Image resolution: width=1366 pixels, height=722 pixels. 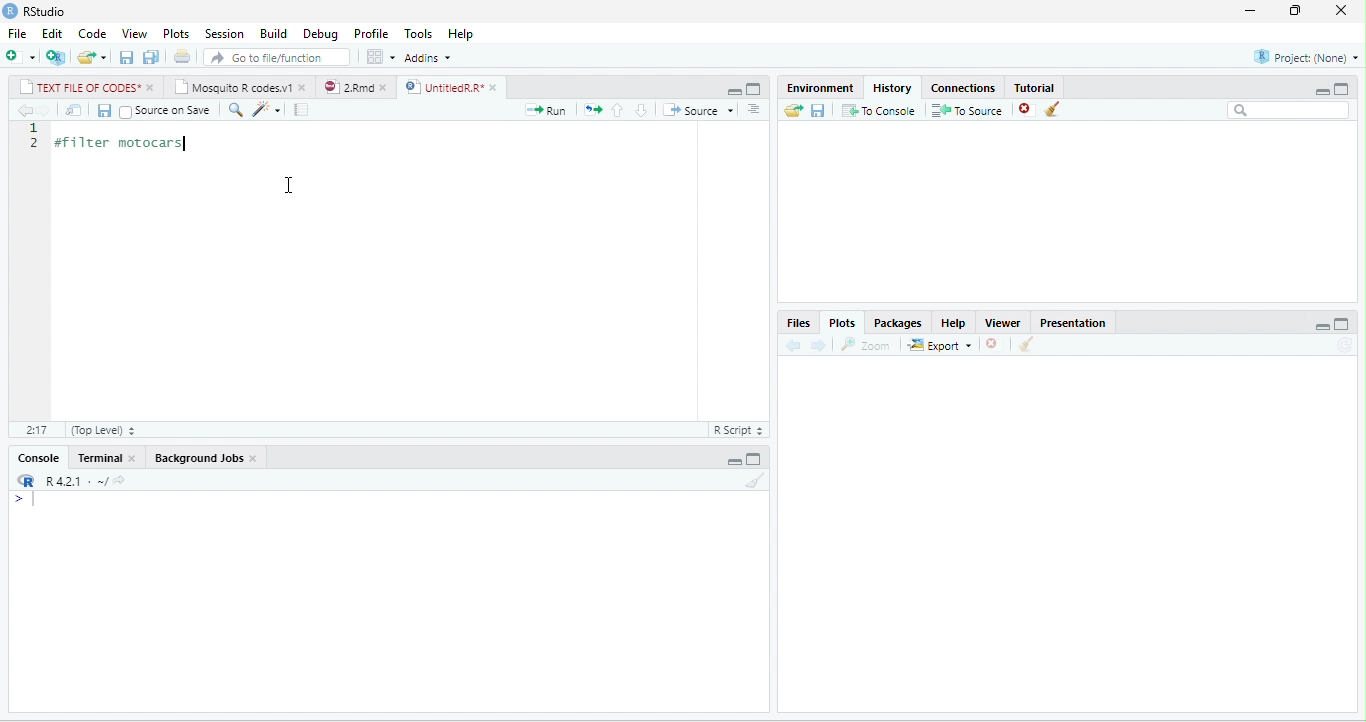 What do you see at coordinates (1002, 323) in the screenshot?
I see `Viewer` at bounding box center [1002, 323].